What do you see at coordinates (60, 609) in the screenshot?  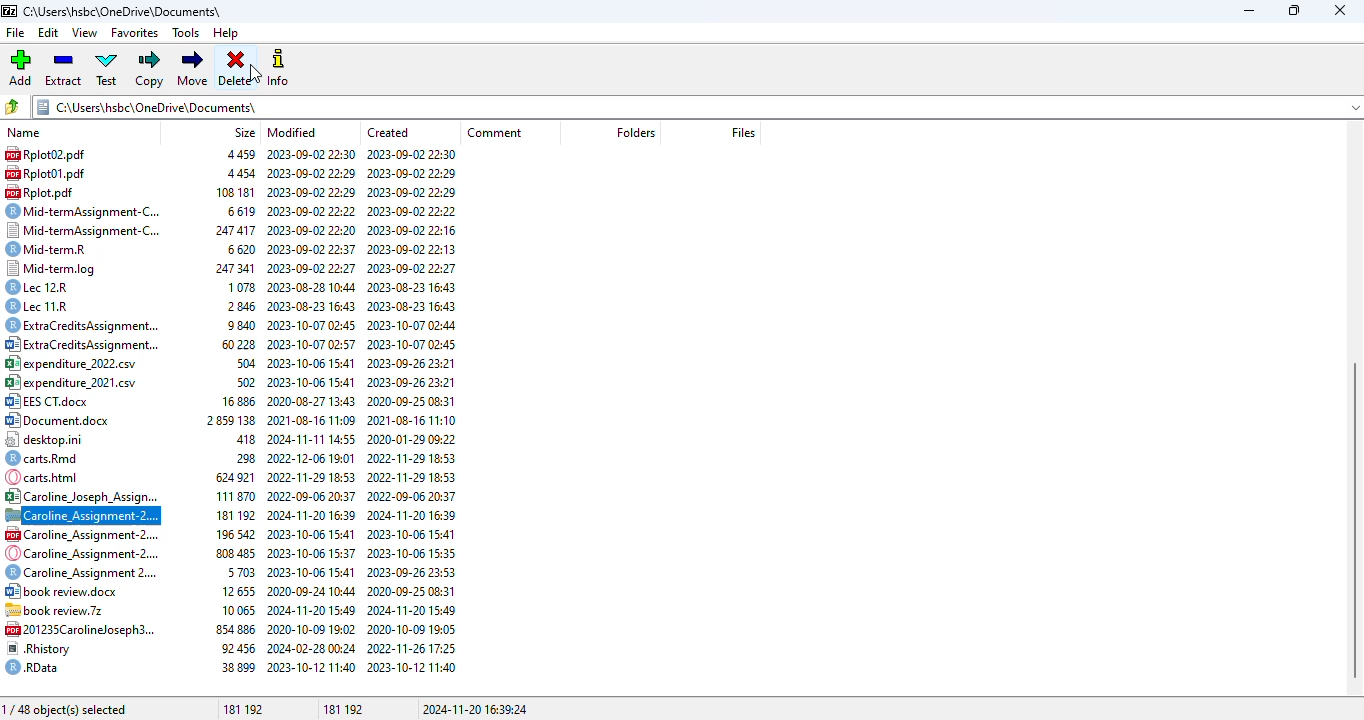 I see ` book review. 7x` at bounding box center [60, 609].